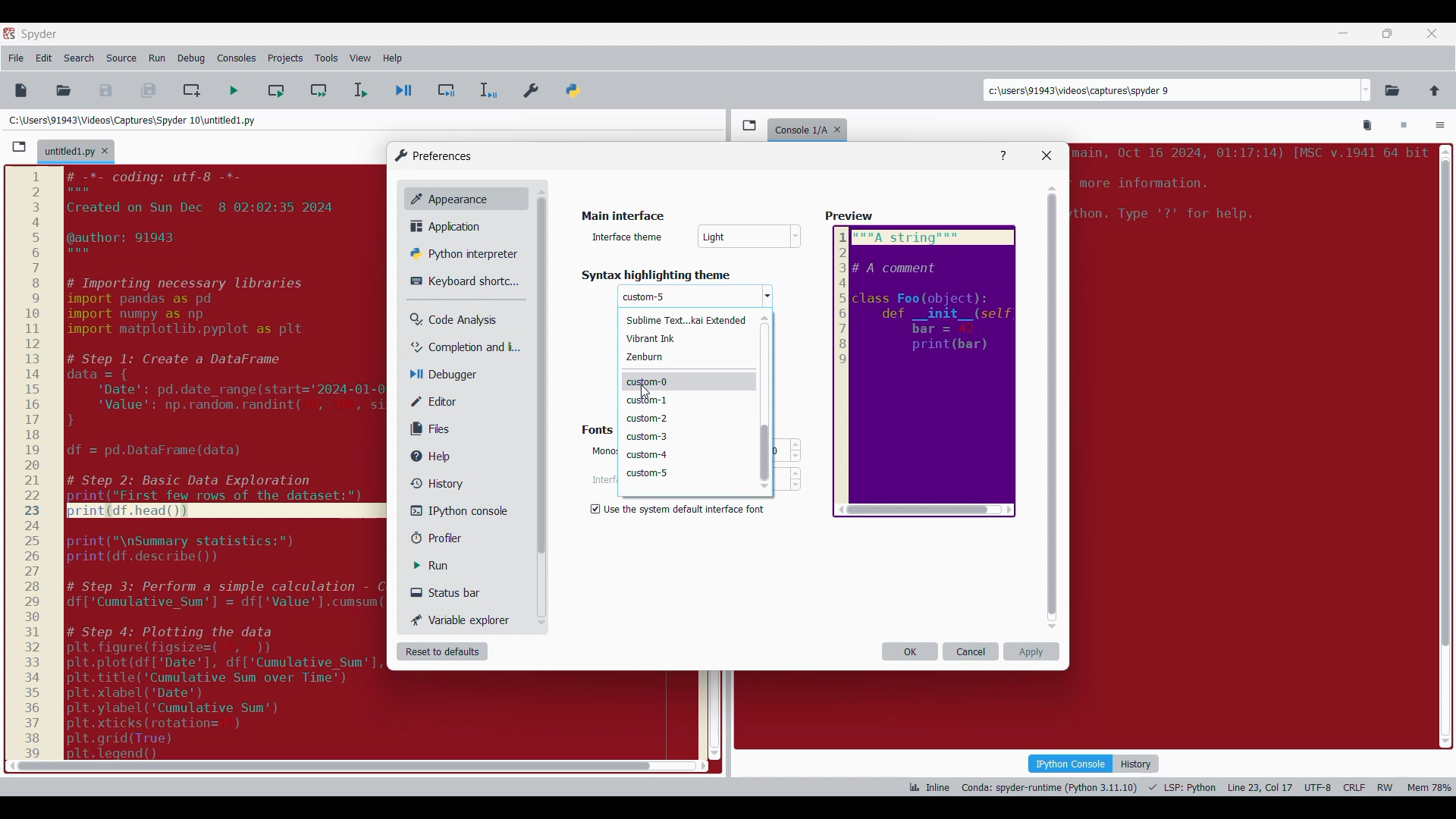  What do you see at coordinates (910, 651) in the screenshot?
I see `OK` at bounding box center [910, 651].